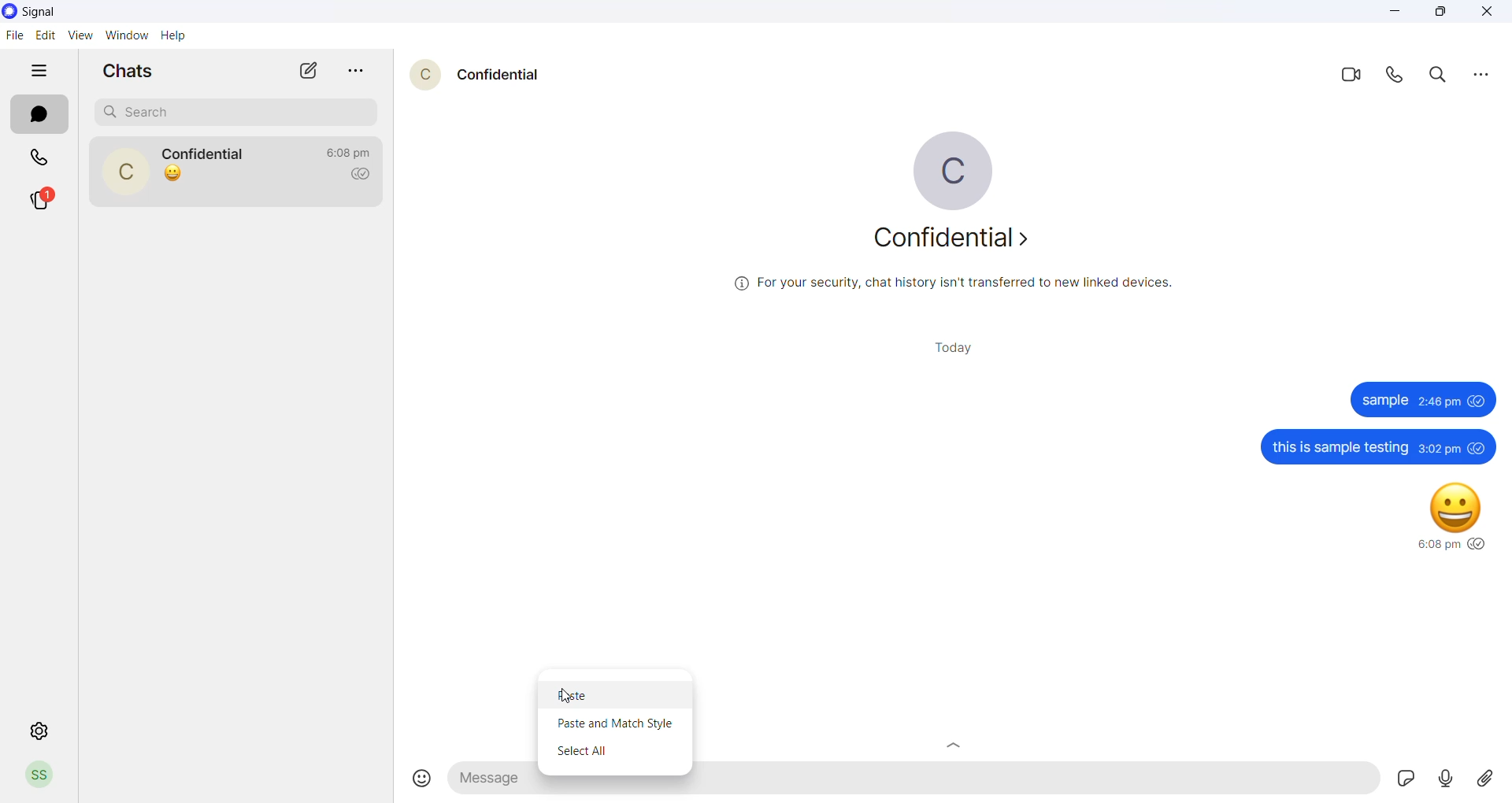 The width and height of the screenshot is (1512, 803). Describe the element at coordinates (960, 352) in the screenshot. I see `today heading` at that location.